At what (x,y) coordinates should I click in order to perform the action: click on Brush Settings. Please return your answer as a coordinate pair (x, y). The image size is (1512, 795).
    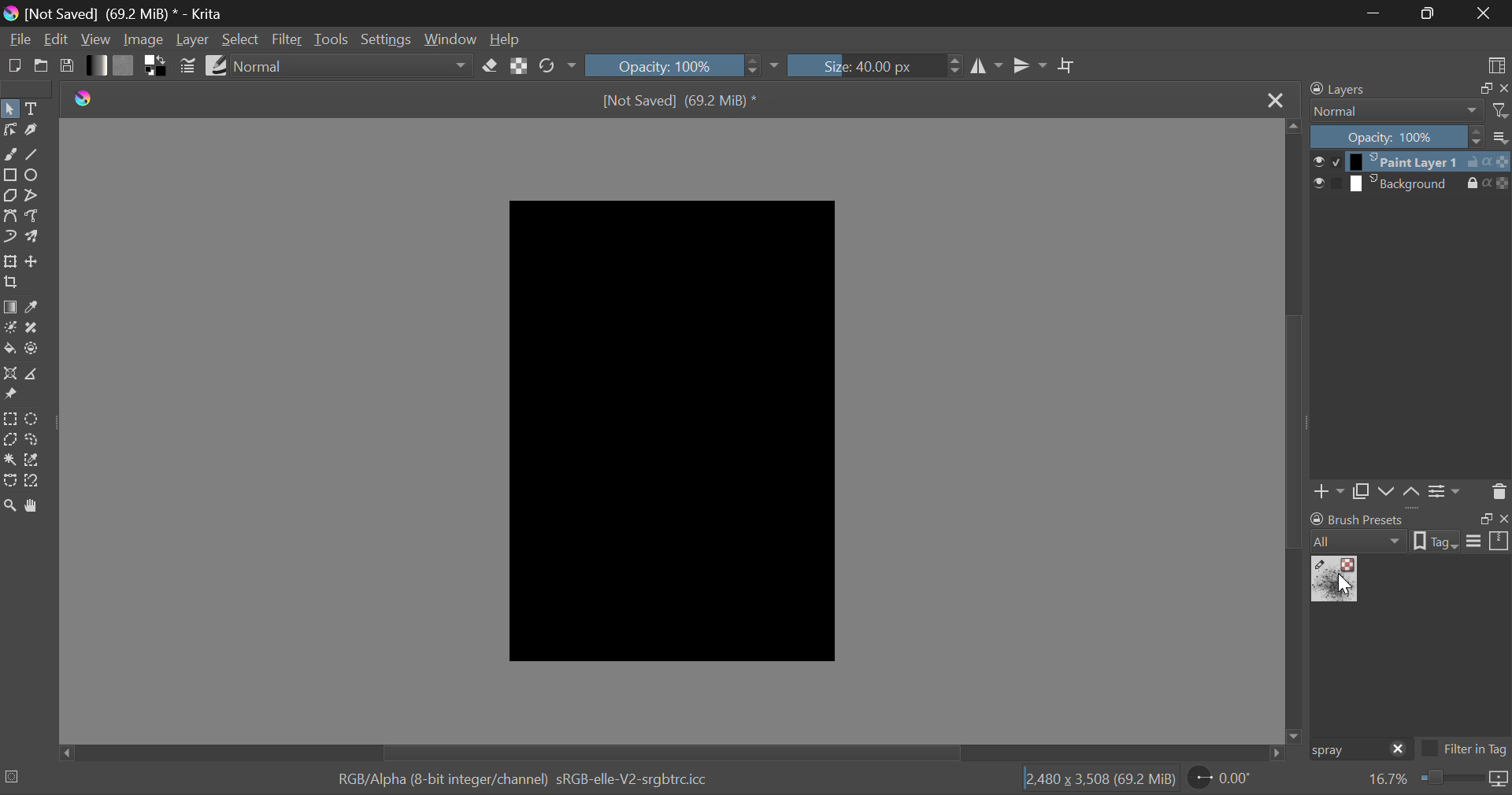
    Looking at the image, I should click on (188, 68).